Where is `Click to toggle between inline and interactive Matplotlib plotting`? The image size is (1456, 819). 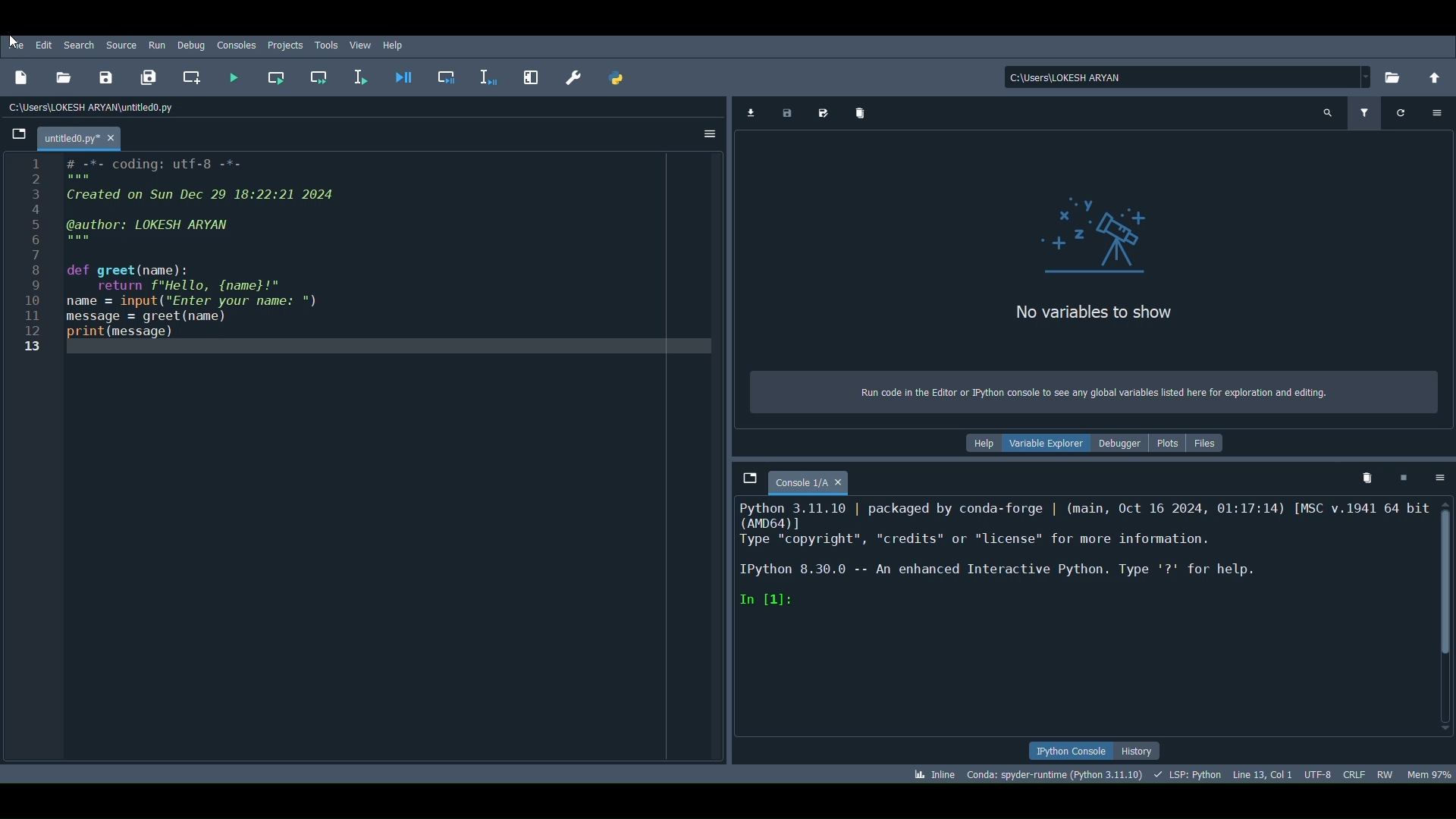
Click to toggle between inline and interactive Matplotlib plotting is located at coordinates (934, 774).